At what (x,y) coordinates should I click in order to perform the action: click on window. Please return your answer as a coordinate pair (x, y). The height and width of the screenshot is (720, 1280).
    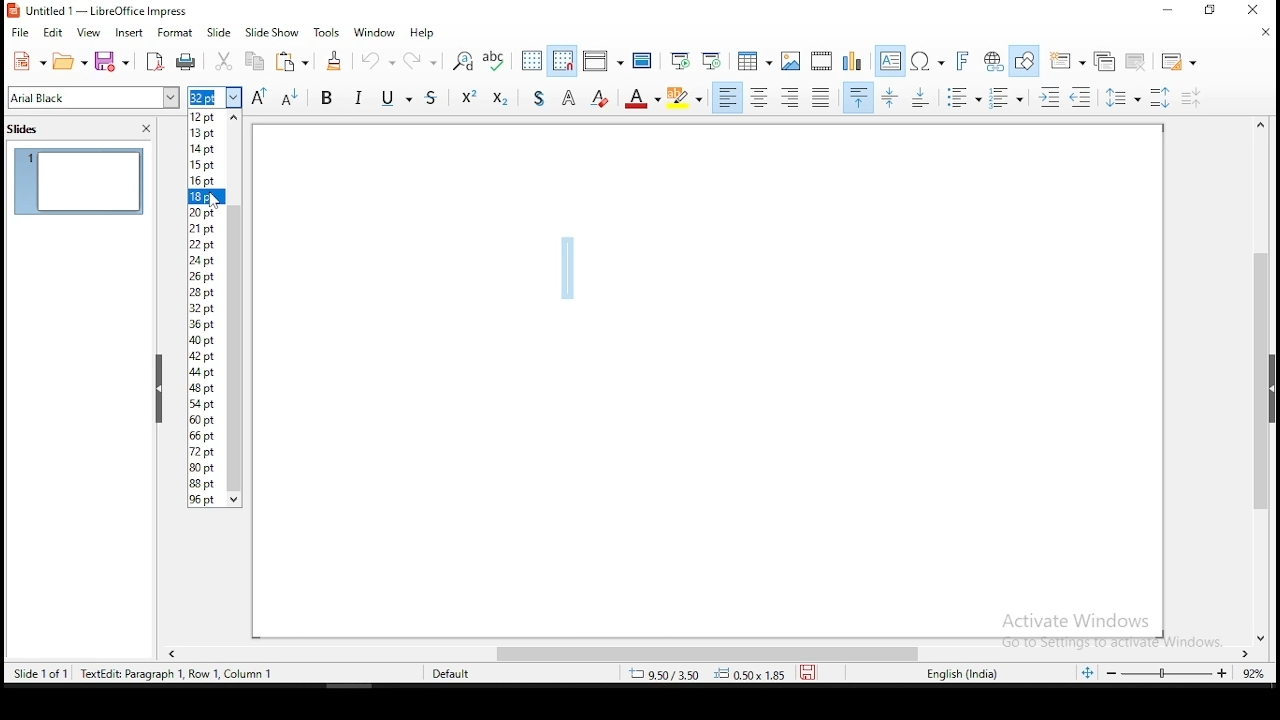
    Looking at the image, I should click on (375, 33).